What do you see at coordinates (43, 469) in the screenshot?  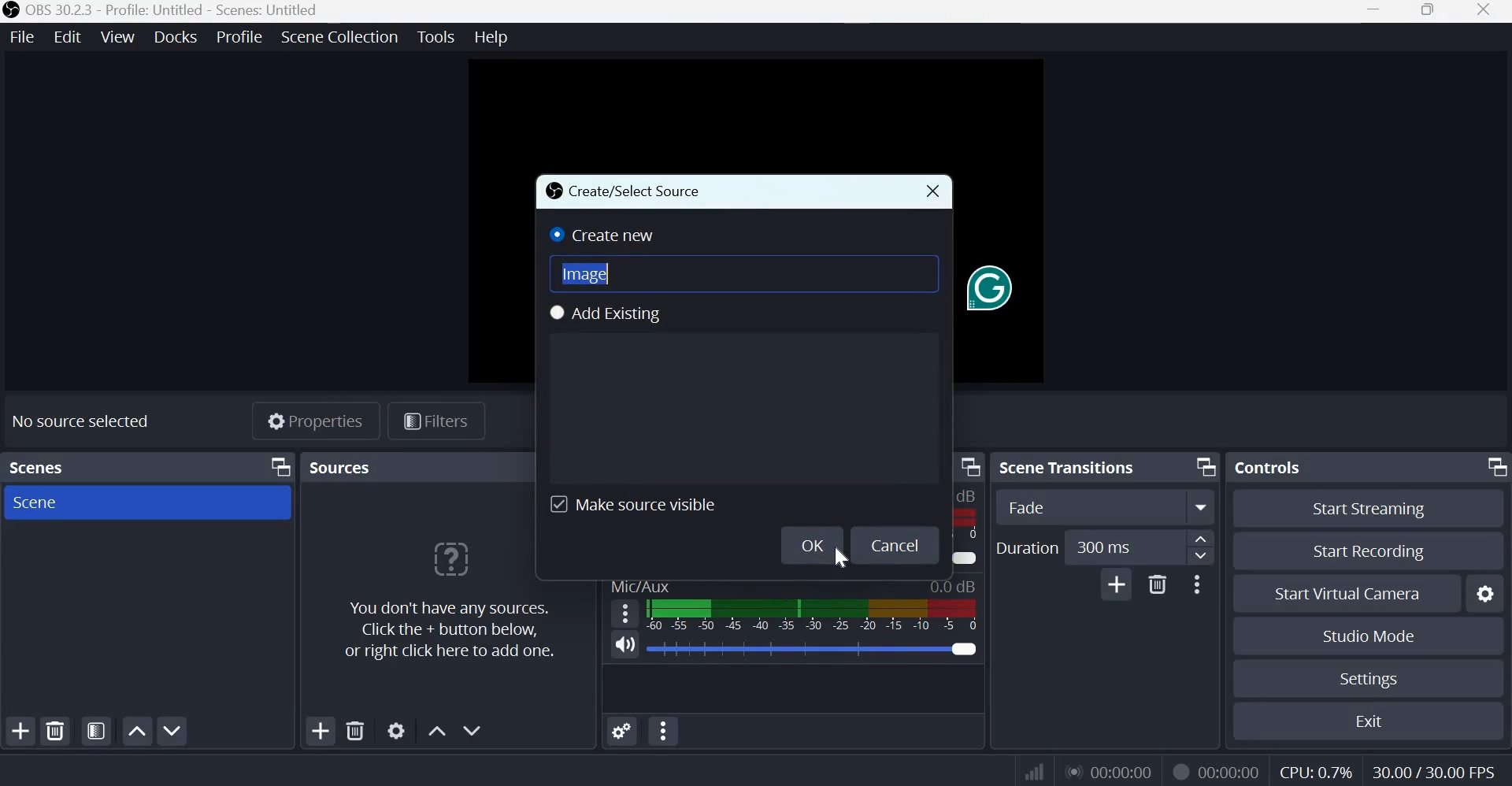 I see `Scenes` at bounding box center [43, 469].